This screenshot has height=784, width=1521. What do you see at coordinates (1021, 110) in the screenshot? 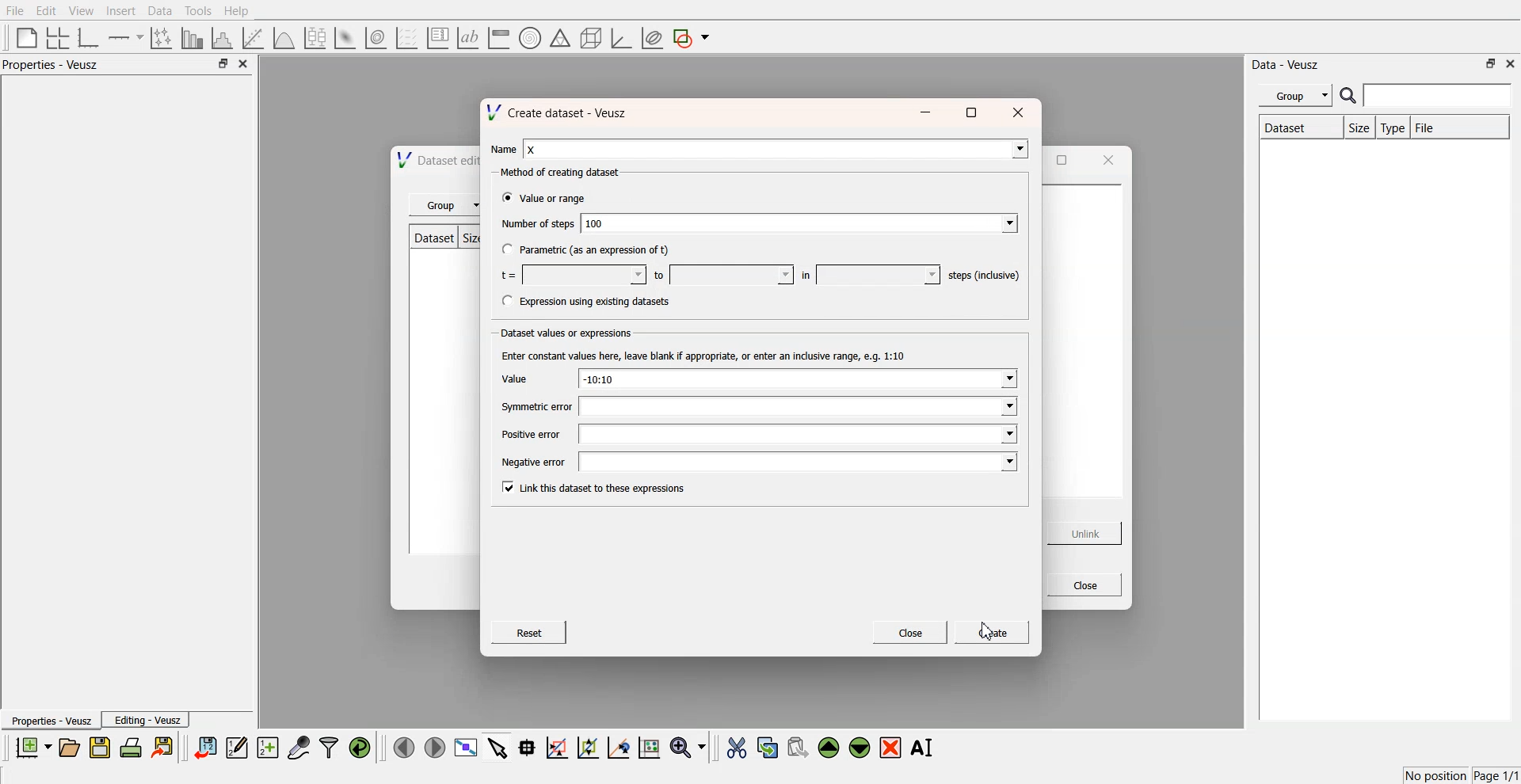
I see `close` at bounding box center [1021, 110].